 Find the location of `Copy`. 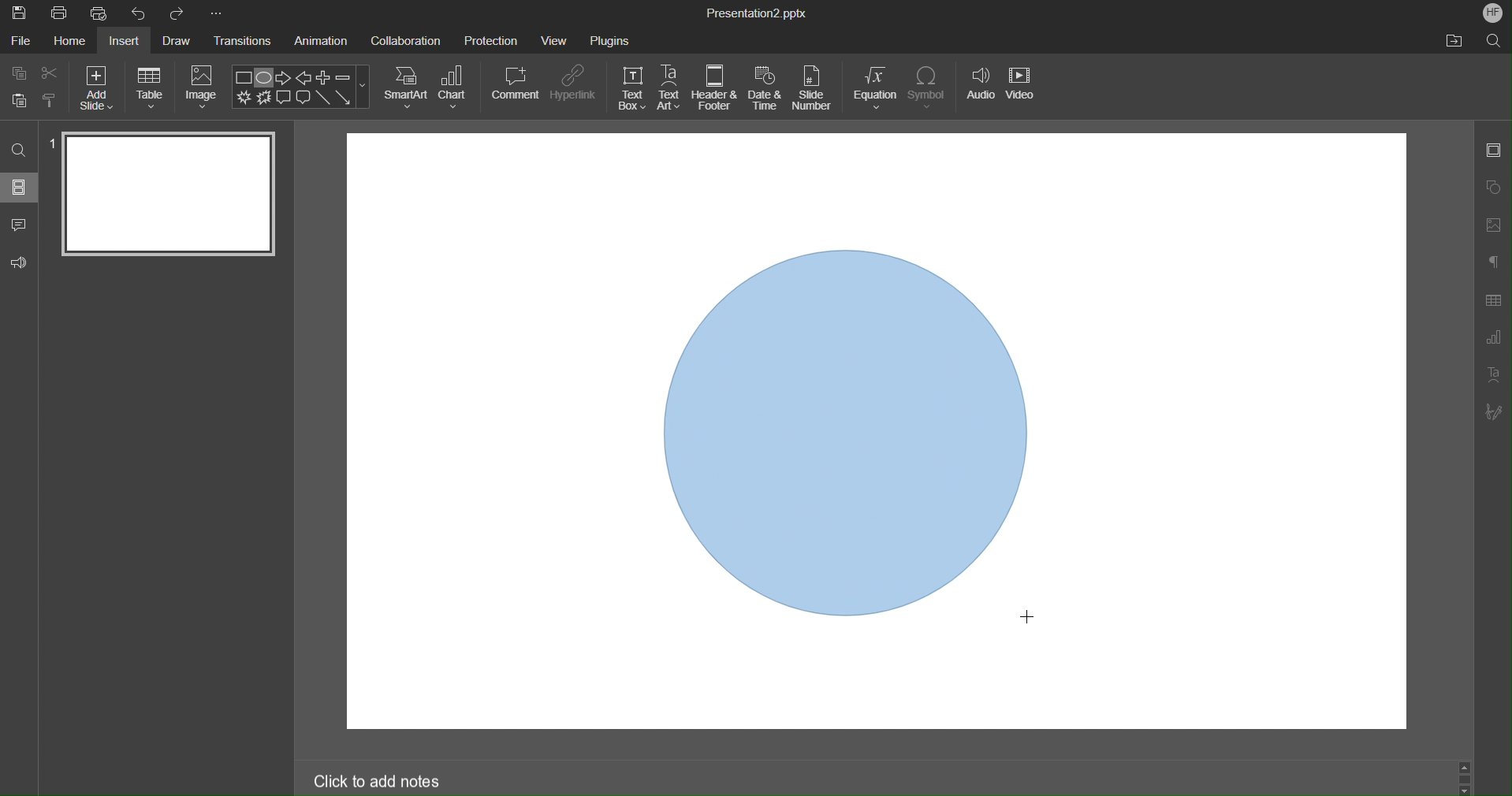

Copy is located at coordinates (17, 73).